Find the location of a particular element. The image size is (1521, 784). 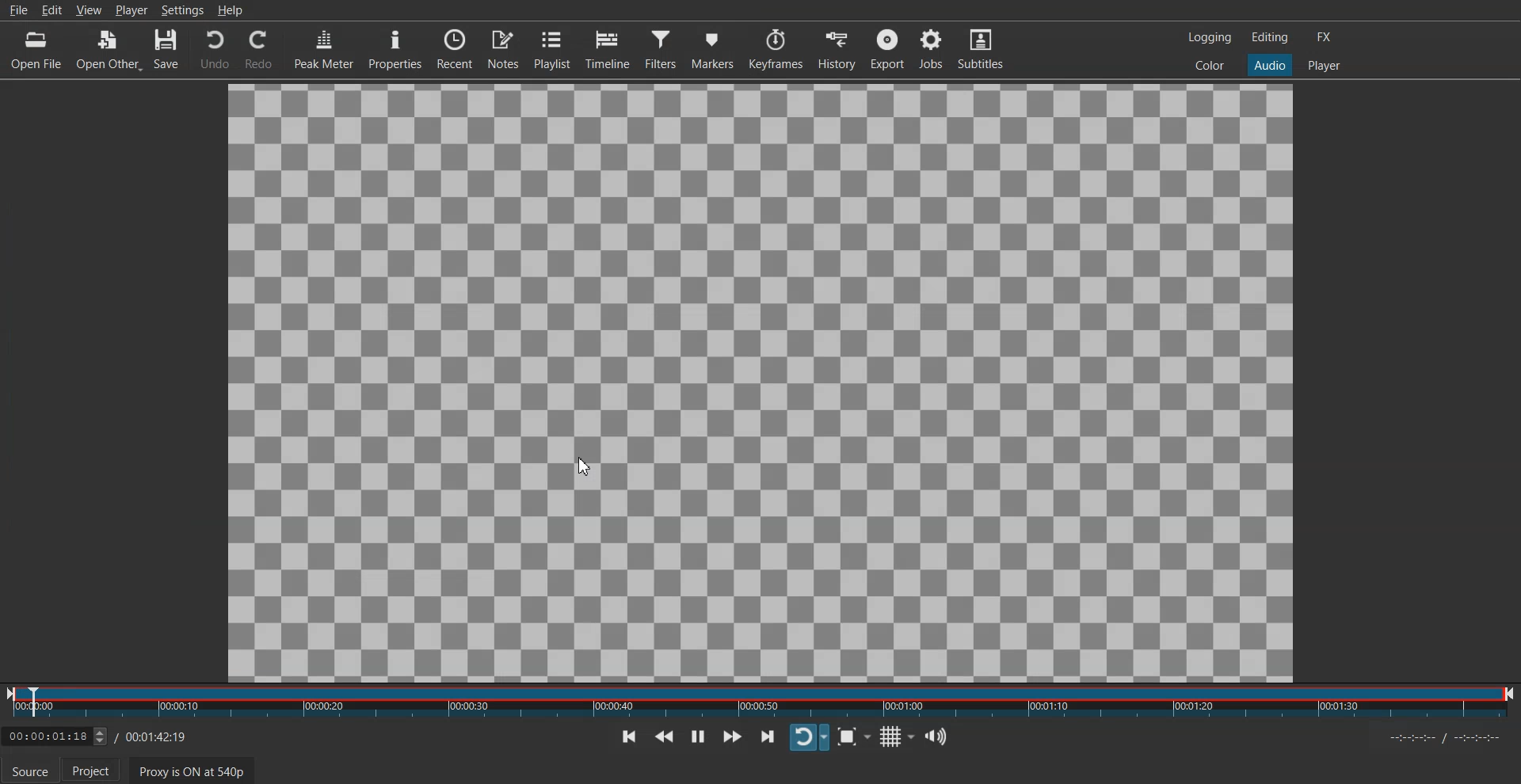

Notes is located at coordinates (503, 50).